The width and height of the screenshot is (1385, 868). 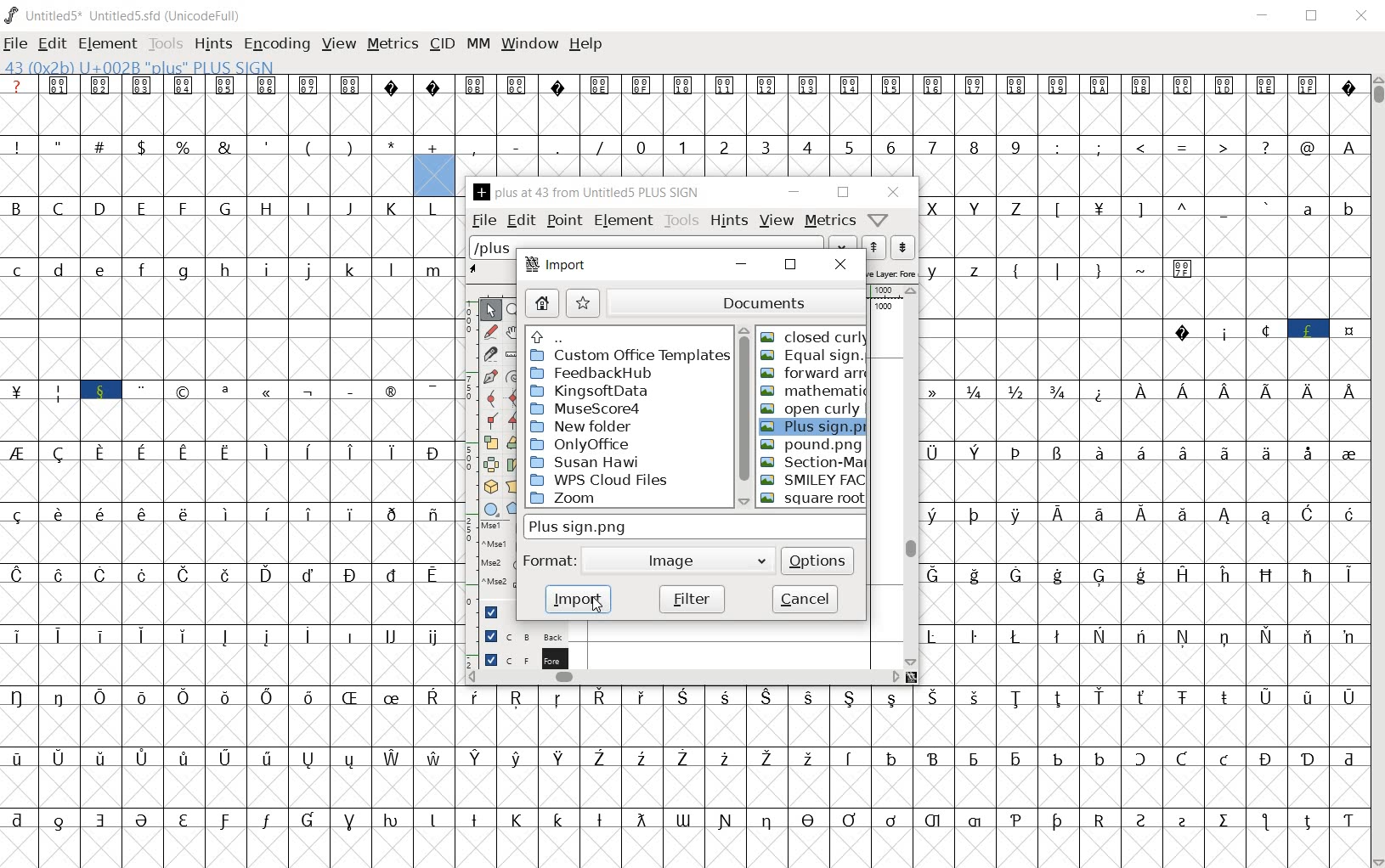 I want to click on special characters, so click(x=19, y=563).